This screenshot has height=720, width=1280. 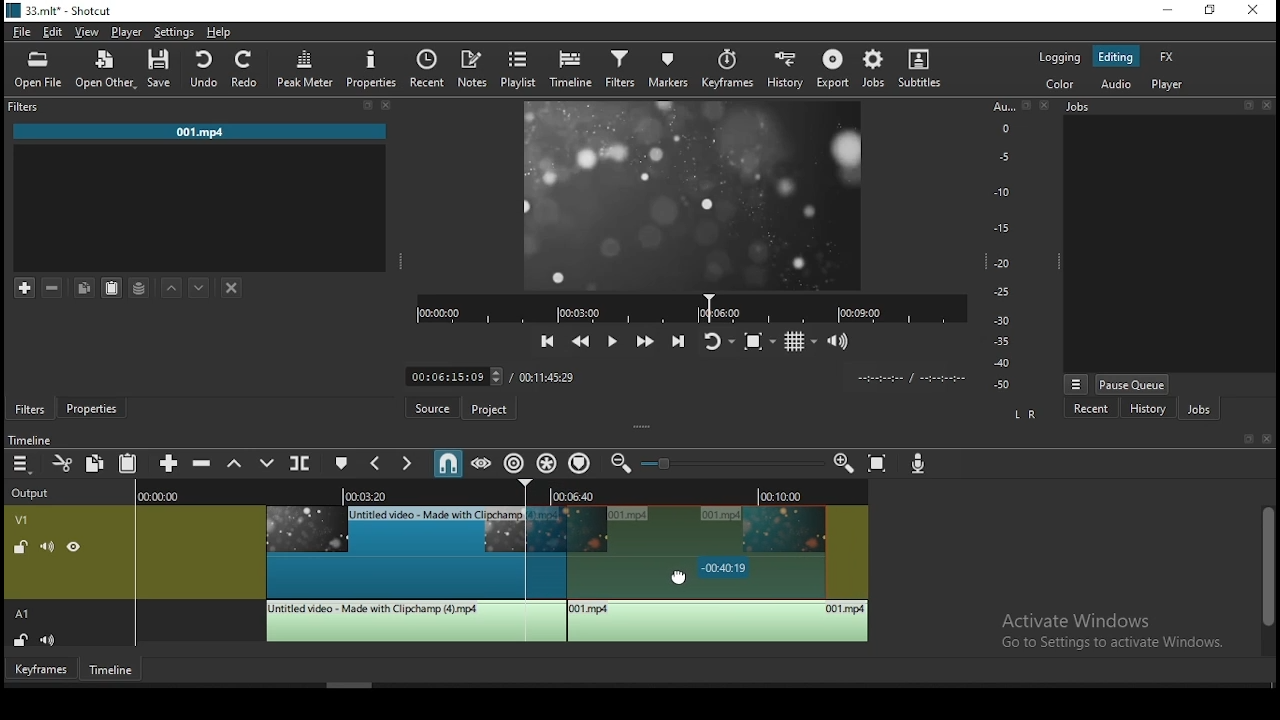 I want to click on help, so click(x=220, y=32).